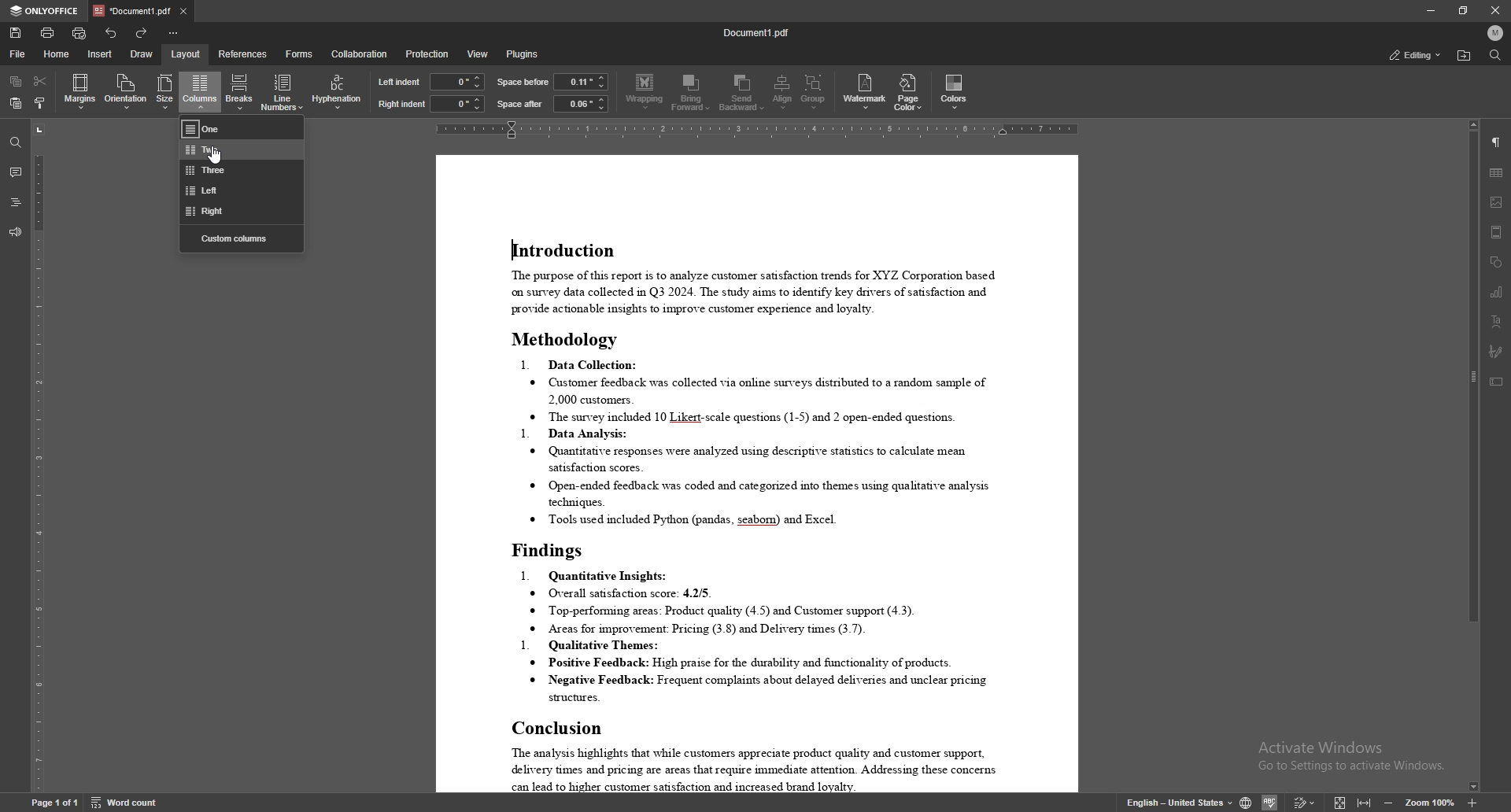  Describe the element at coordinates (187, 54) in the screenshot. I see `layout` at that location.